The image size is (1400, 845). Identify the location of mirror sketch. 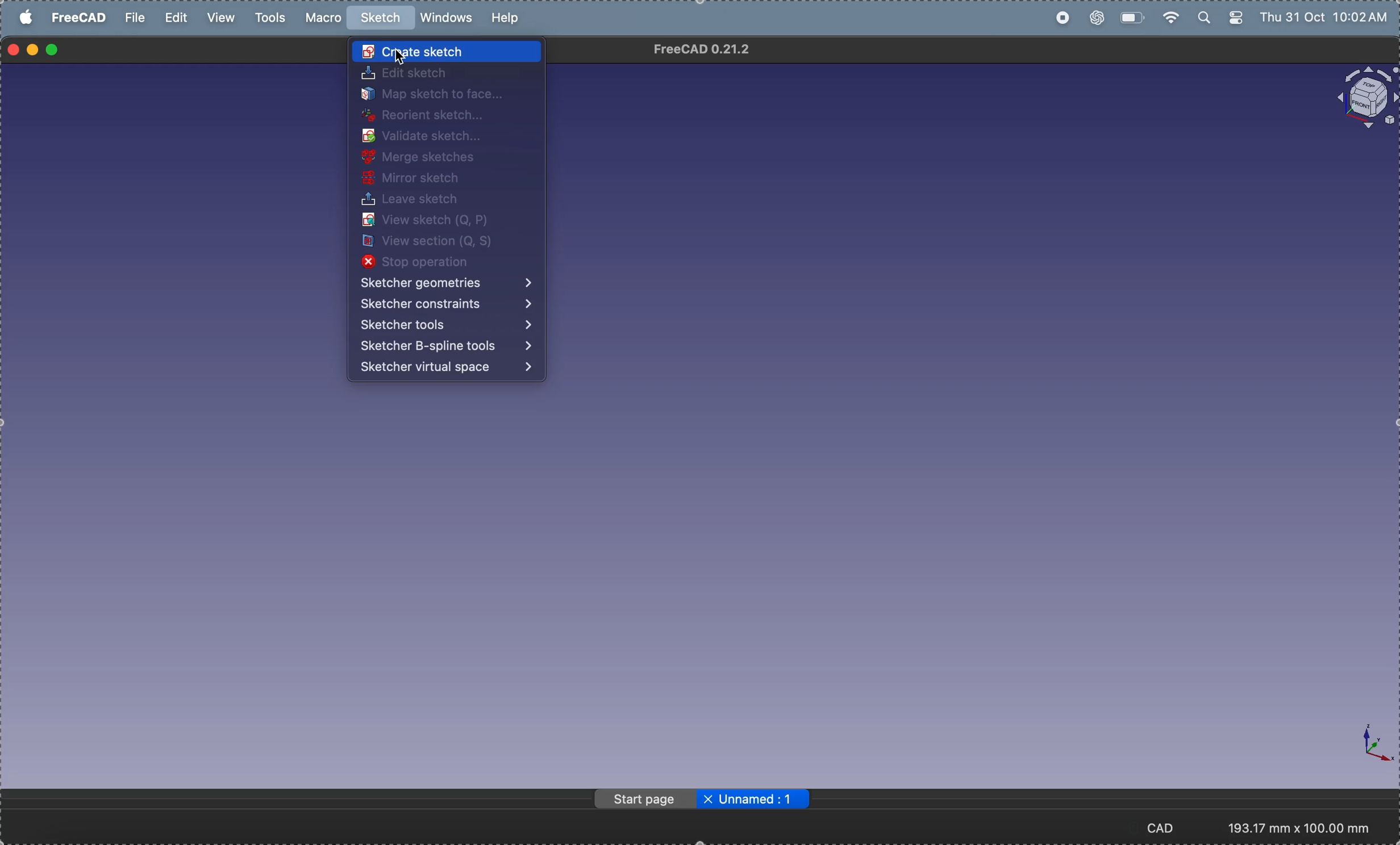
(432, 181).